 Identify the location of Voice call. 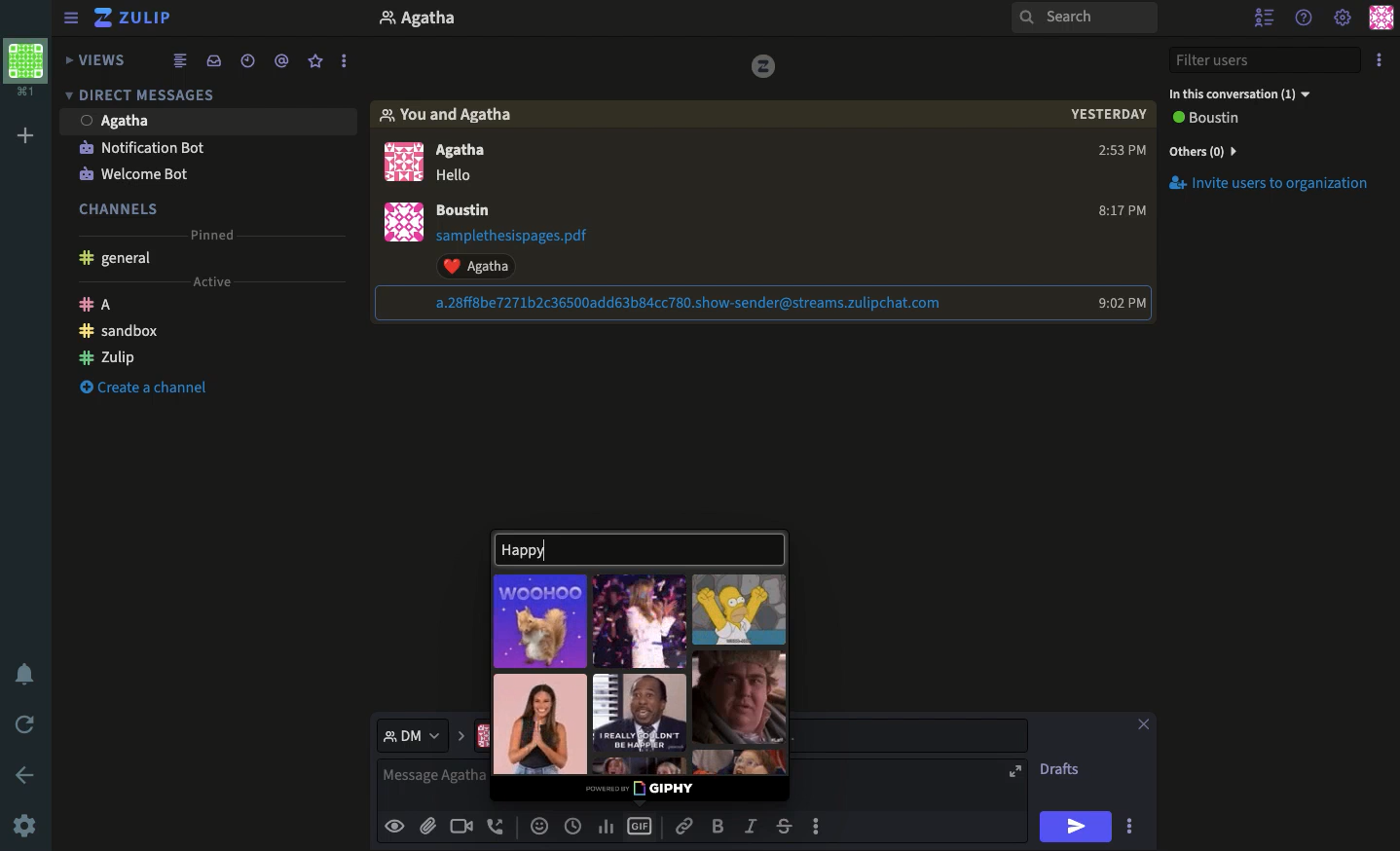
(497, 825).